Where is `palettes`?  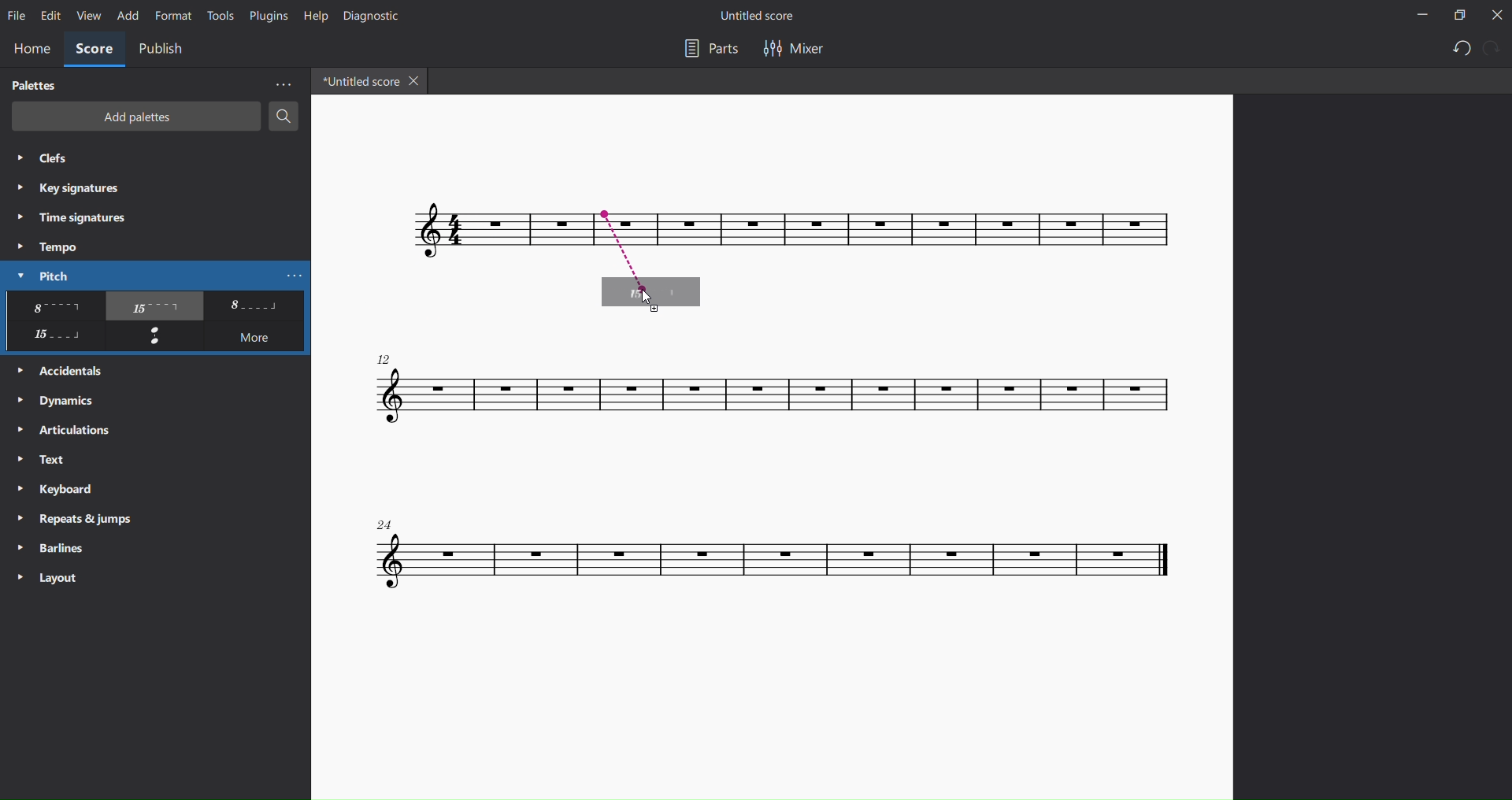
palettes is located at coordinates (35, 85).